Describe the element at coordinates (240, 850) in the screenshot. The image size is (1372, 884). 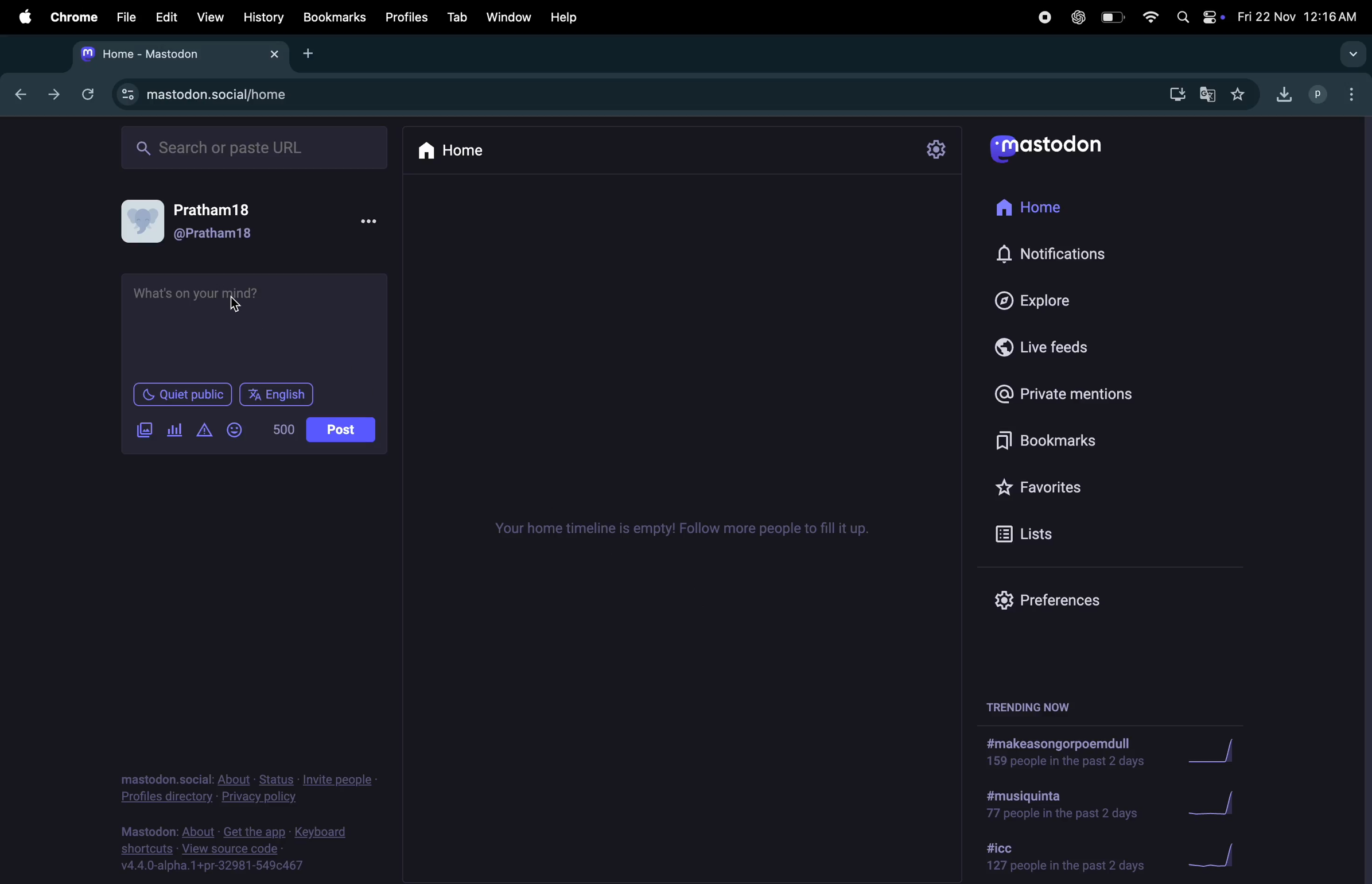
I see `source code` at that location.